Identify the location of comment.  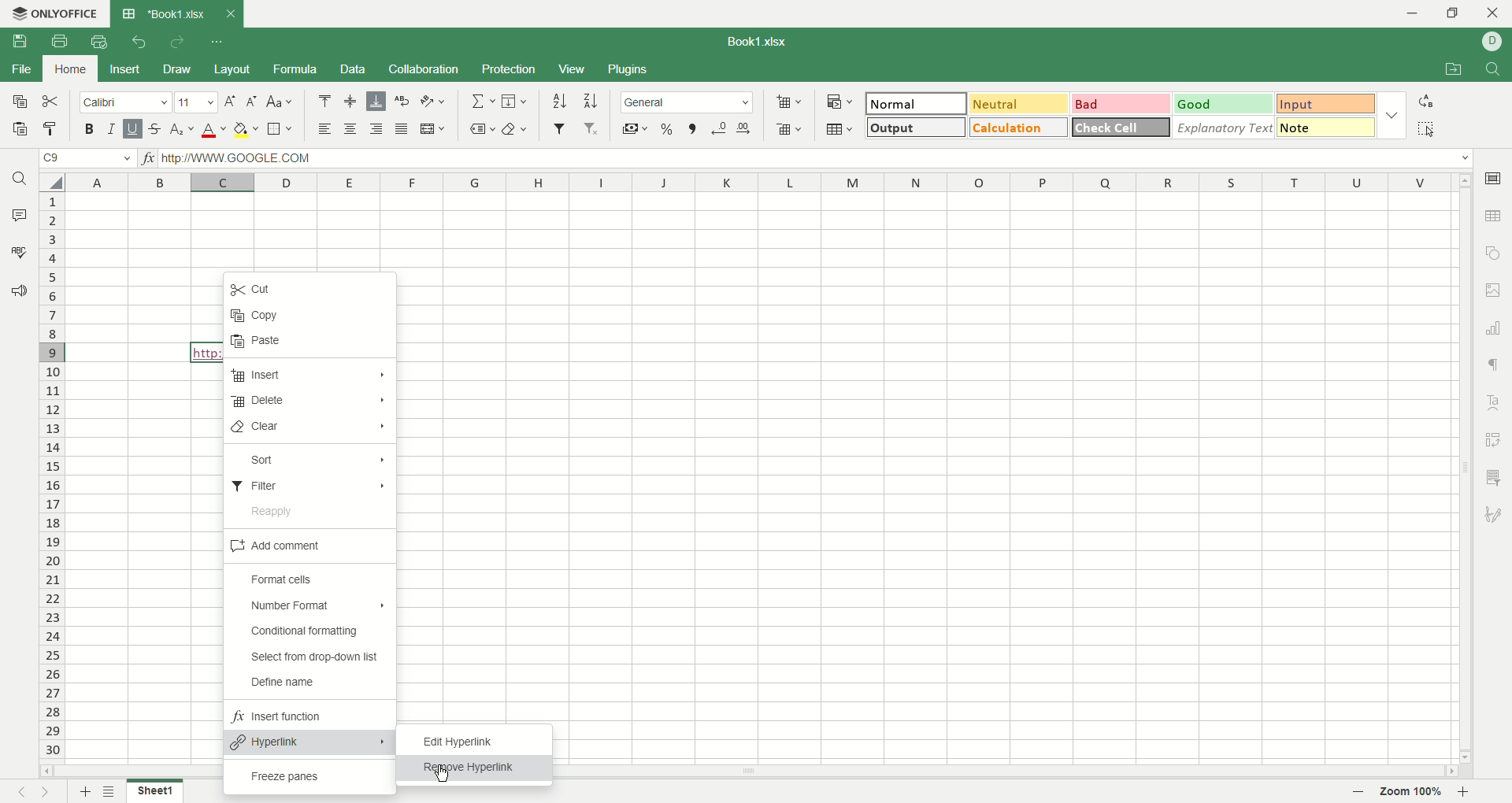
(18, 212).